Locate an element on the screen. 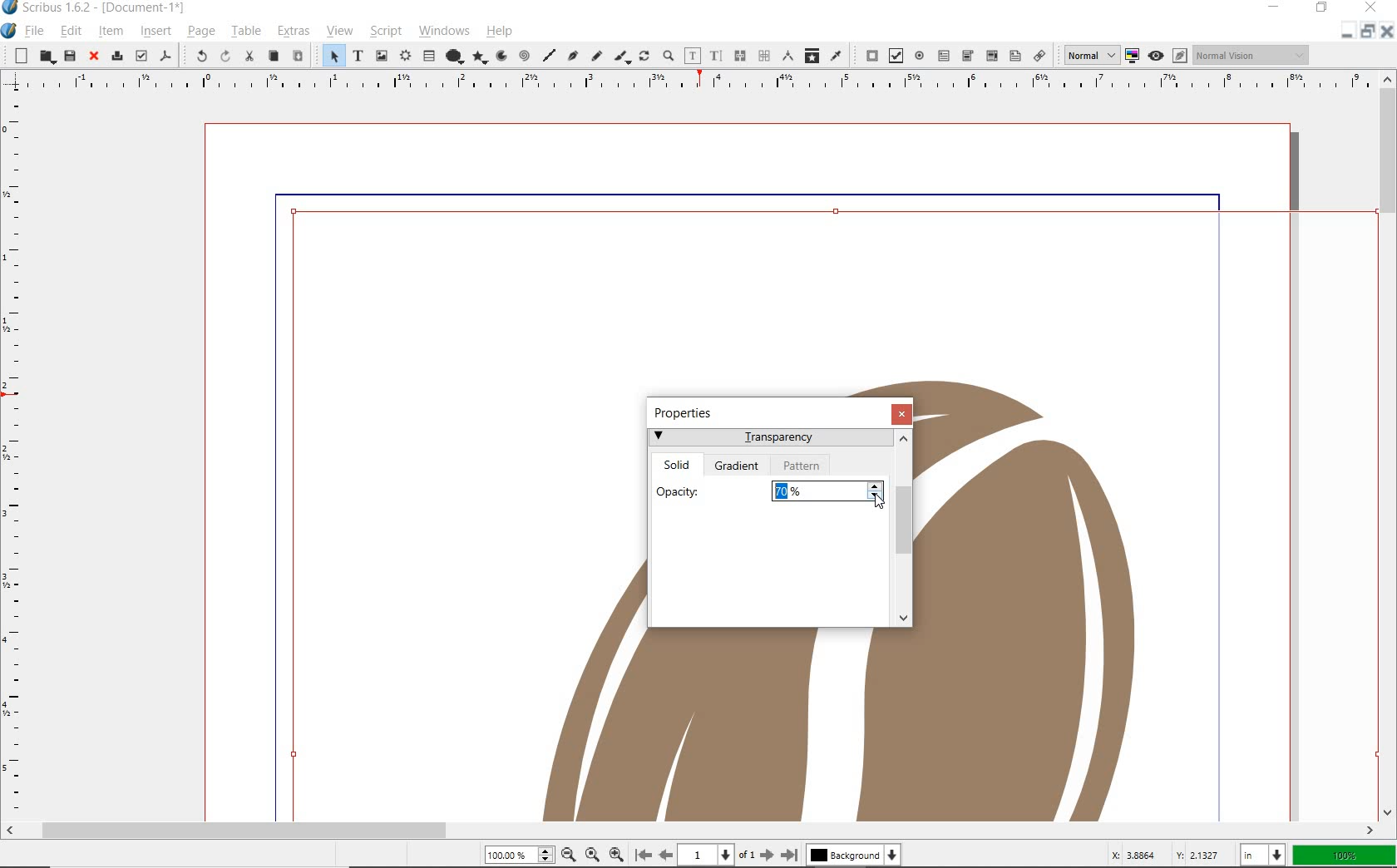  pdf combo box is located at coordinates (967, 56).